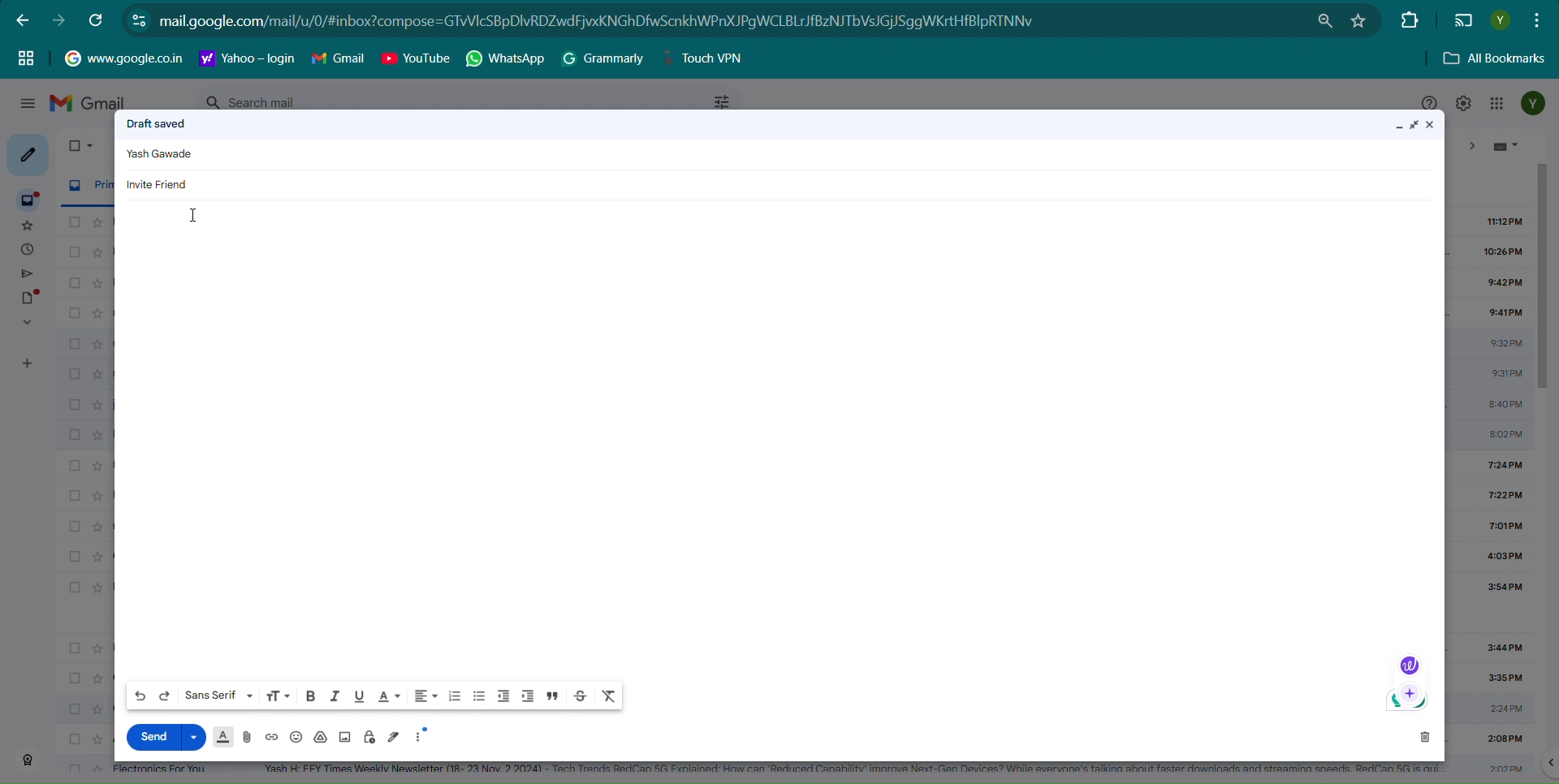  What do you see at coordinates (416, 58) in the screenshot?
I see `Youtube` at bounding box center [416, 58].